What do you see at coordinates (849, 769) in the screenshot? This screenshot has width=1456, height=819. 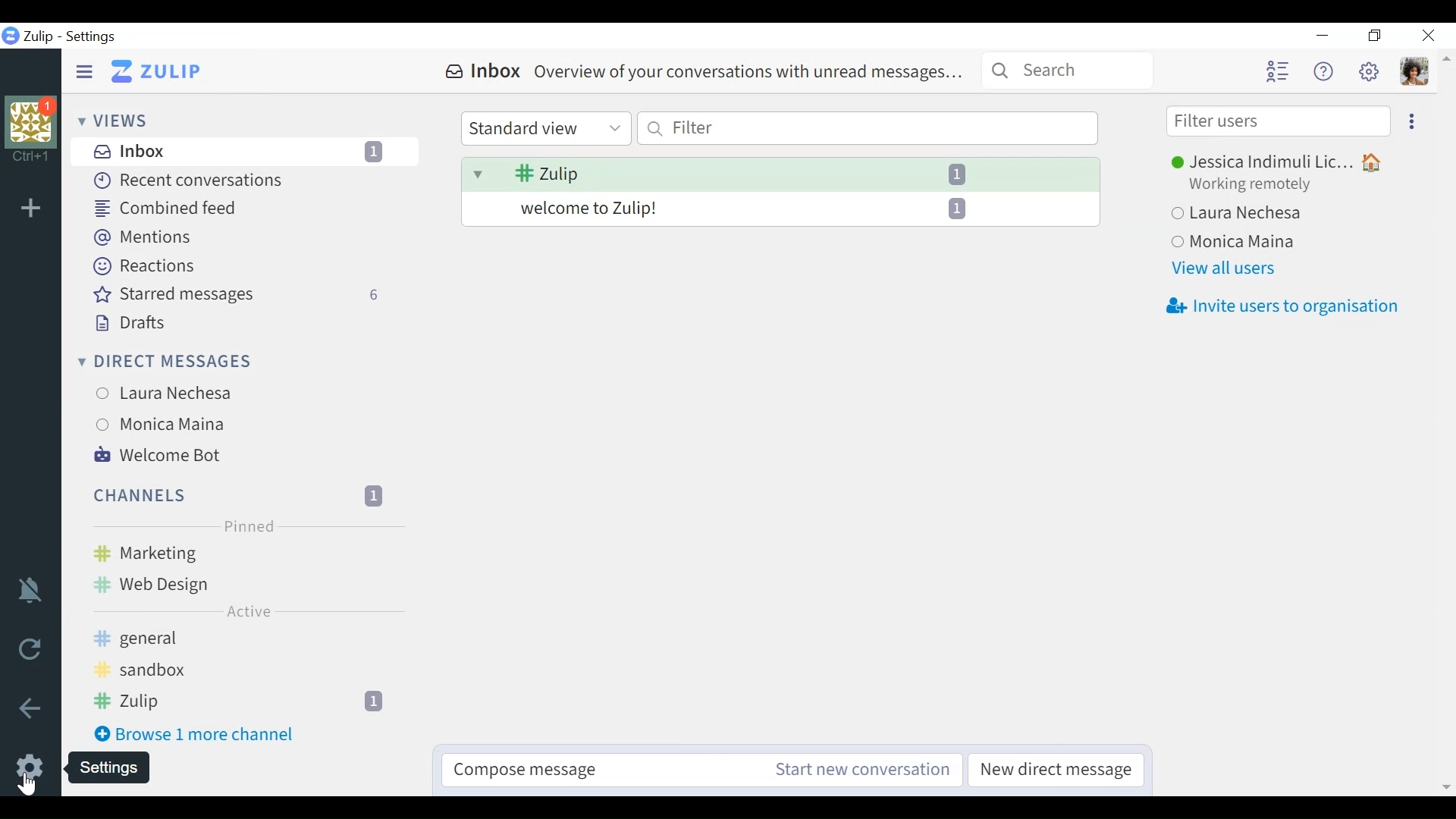 I see `Start new conversation` at bounding box center [849, 769].